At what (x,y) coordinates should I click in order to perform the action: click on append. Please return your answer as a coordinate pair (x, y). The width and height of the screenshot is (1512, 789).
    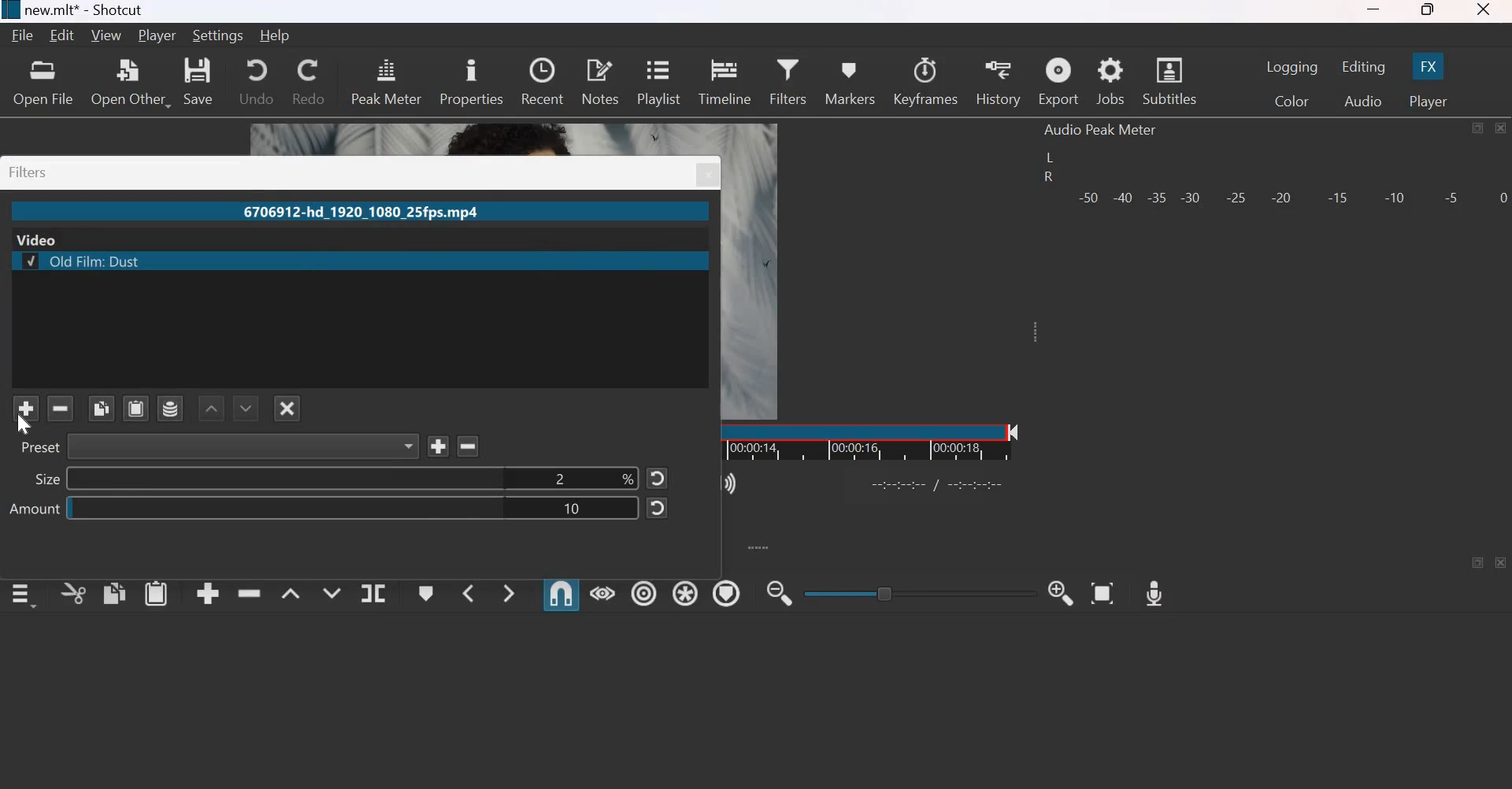
    Looking at the image, I should click on (208, 595).